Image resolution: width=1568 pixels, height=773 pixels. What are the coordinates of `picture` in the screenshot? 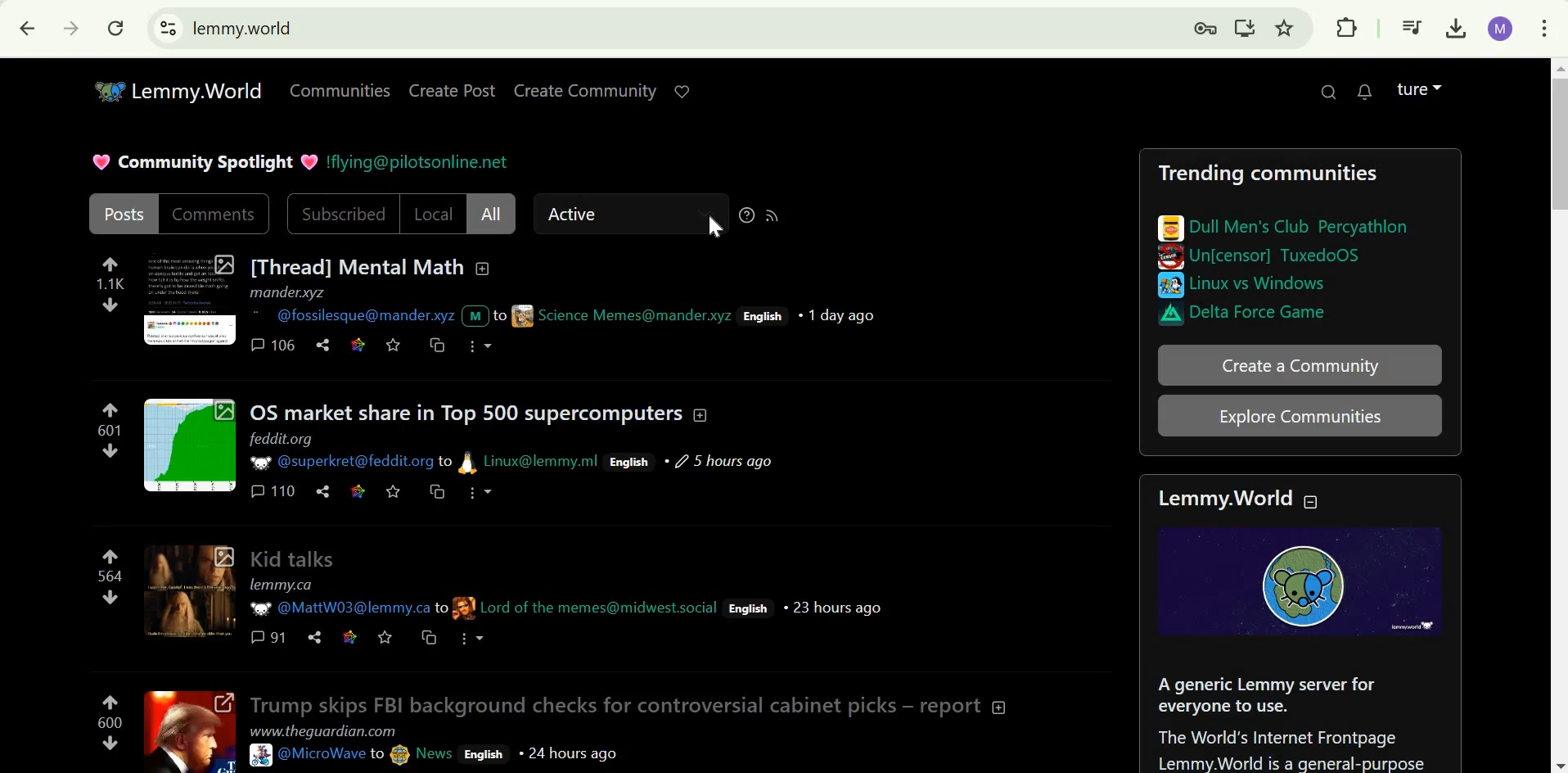 It's located at (399, 753).